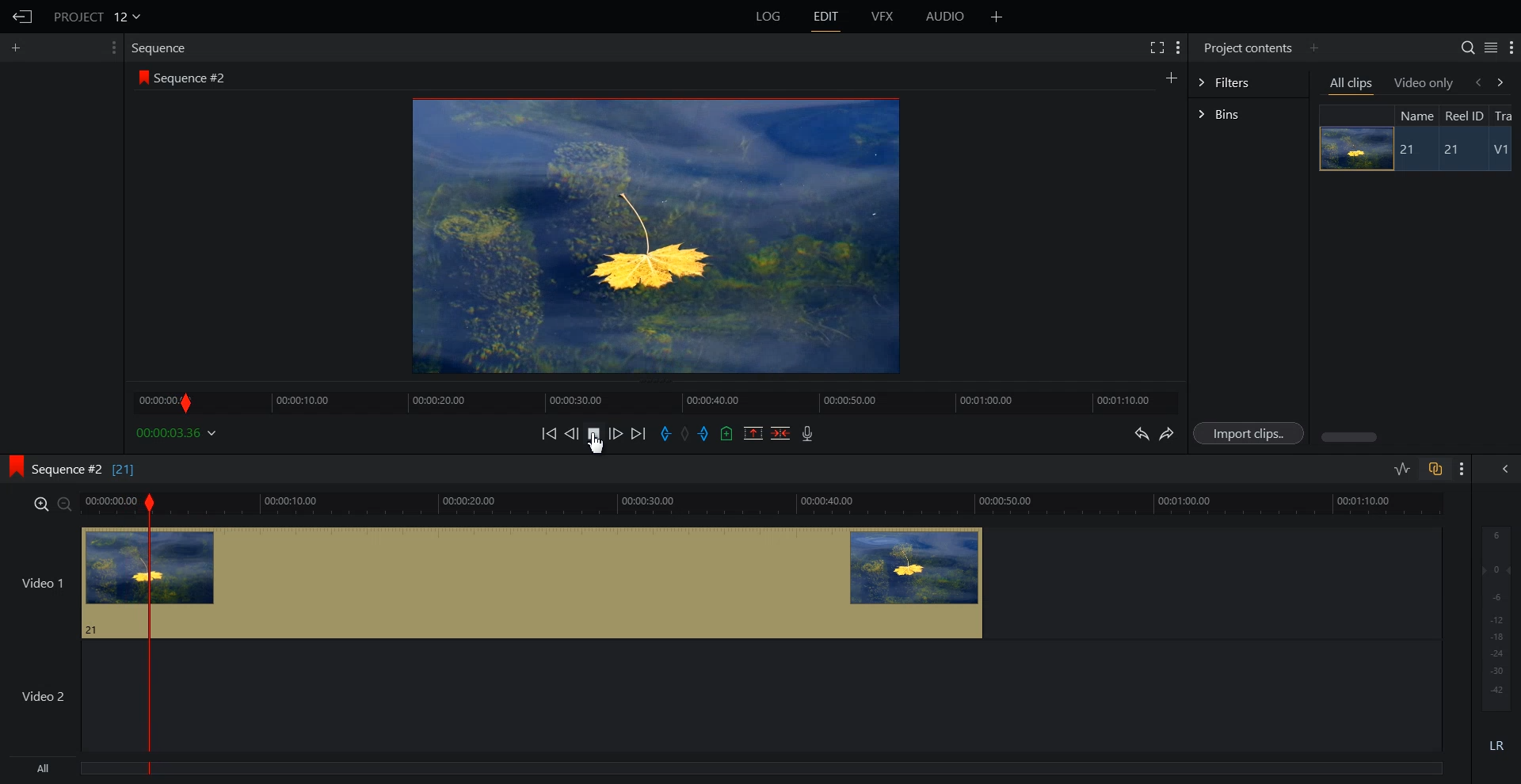 The image size is (1521, 784). I want to click on Filters, so click(1248, 81).